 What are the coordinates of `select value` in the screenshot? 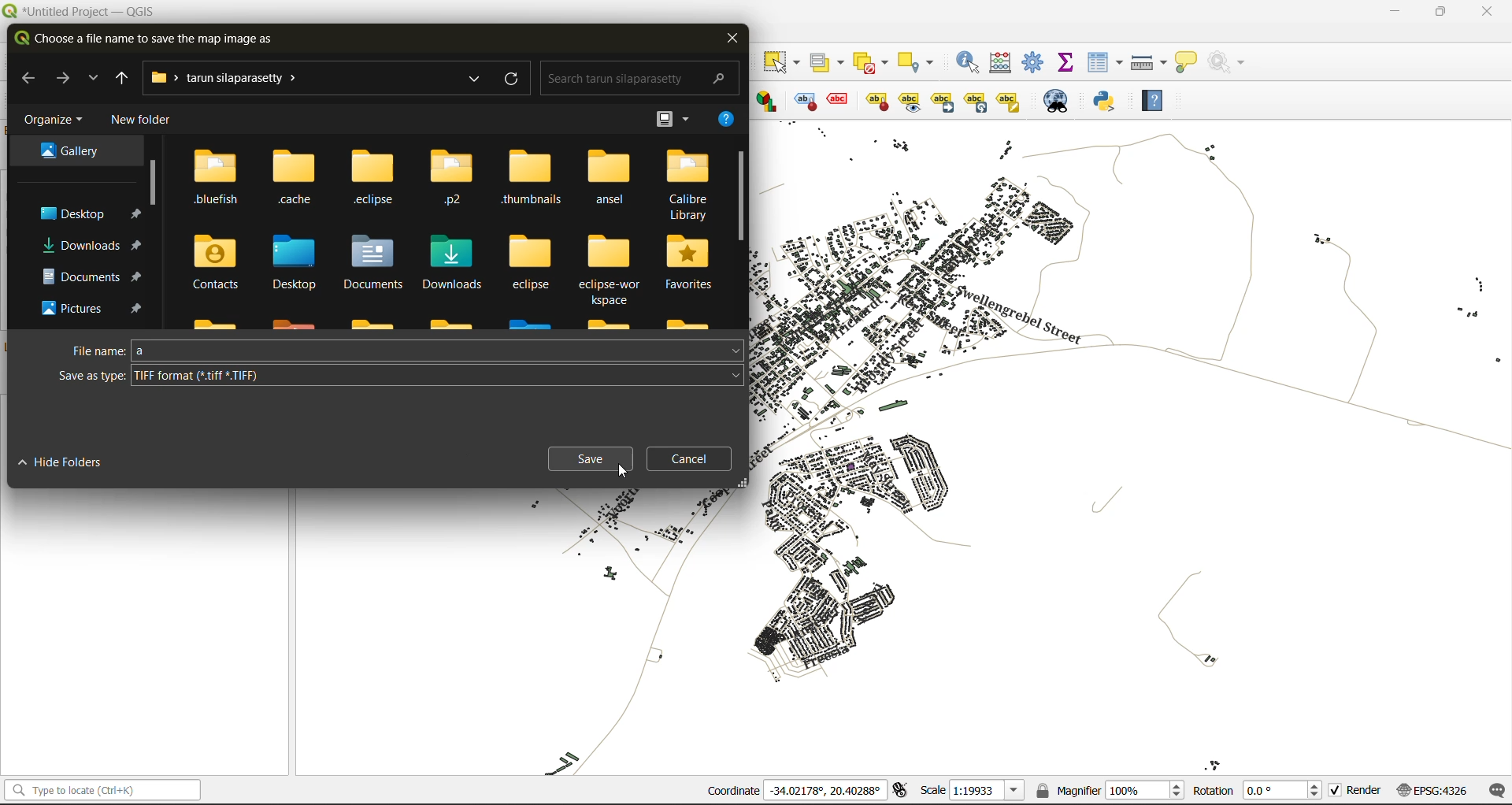 It's located at (828, 59).